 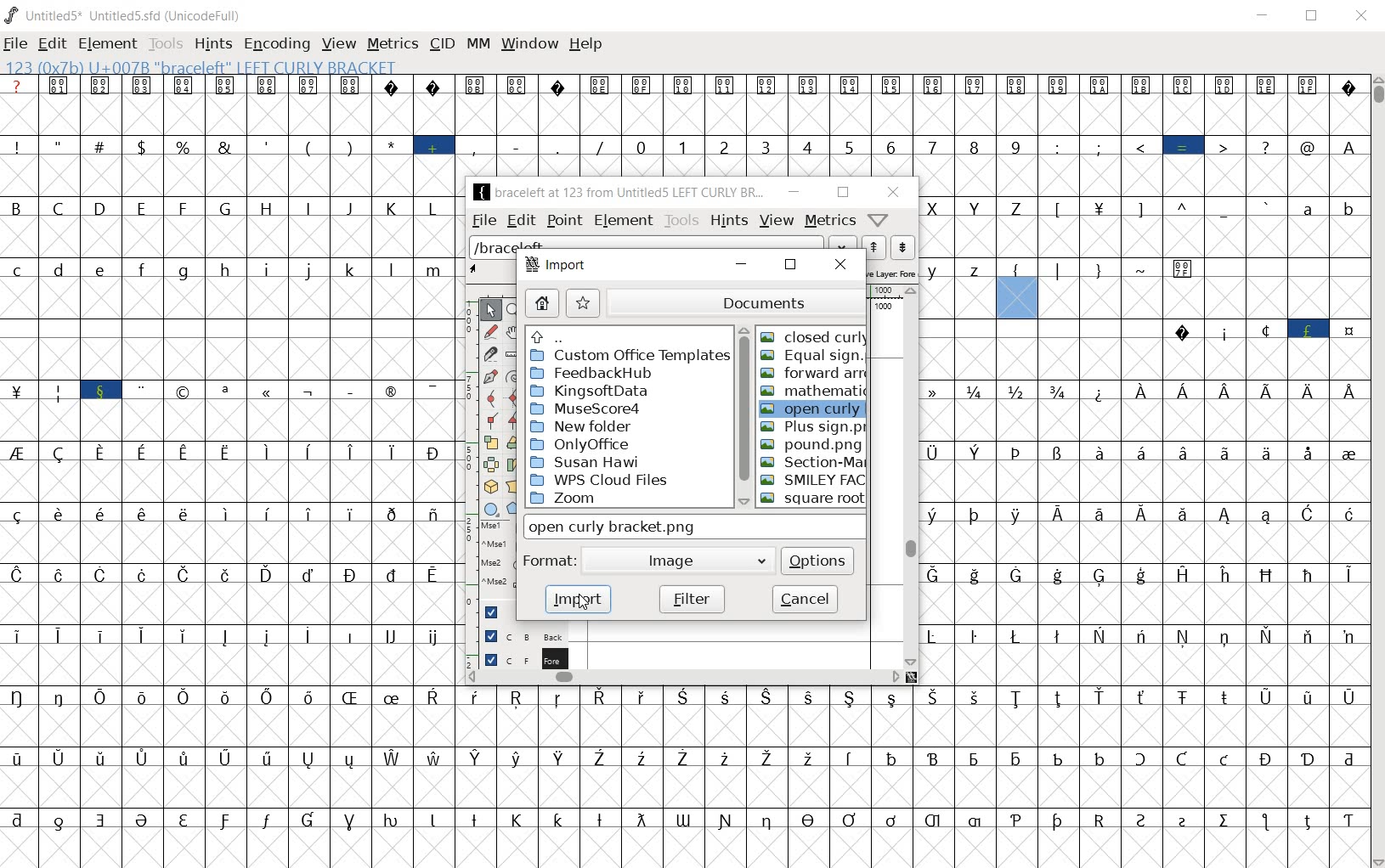 I want to click on braceleft at 123 from Untitled5 LEFT CURLY BR..., so click(x=620, y=191).